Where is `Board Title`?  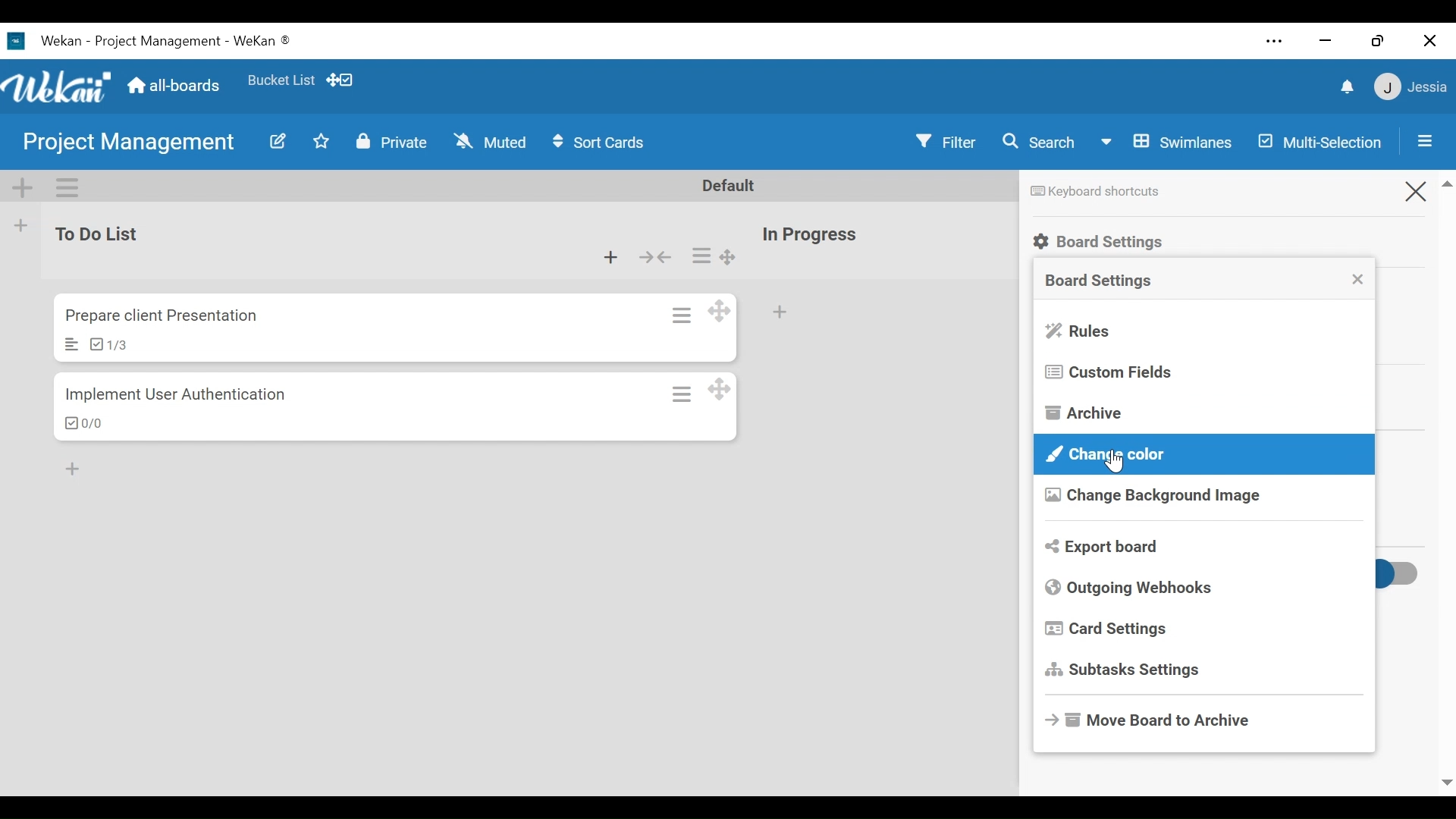
Board Title is located at coordinates (131, 145).